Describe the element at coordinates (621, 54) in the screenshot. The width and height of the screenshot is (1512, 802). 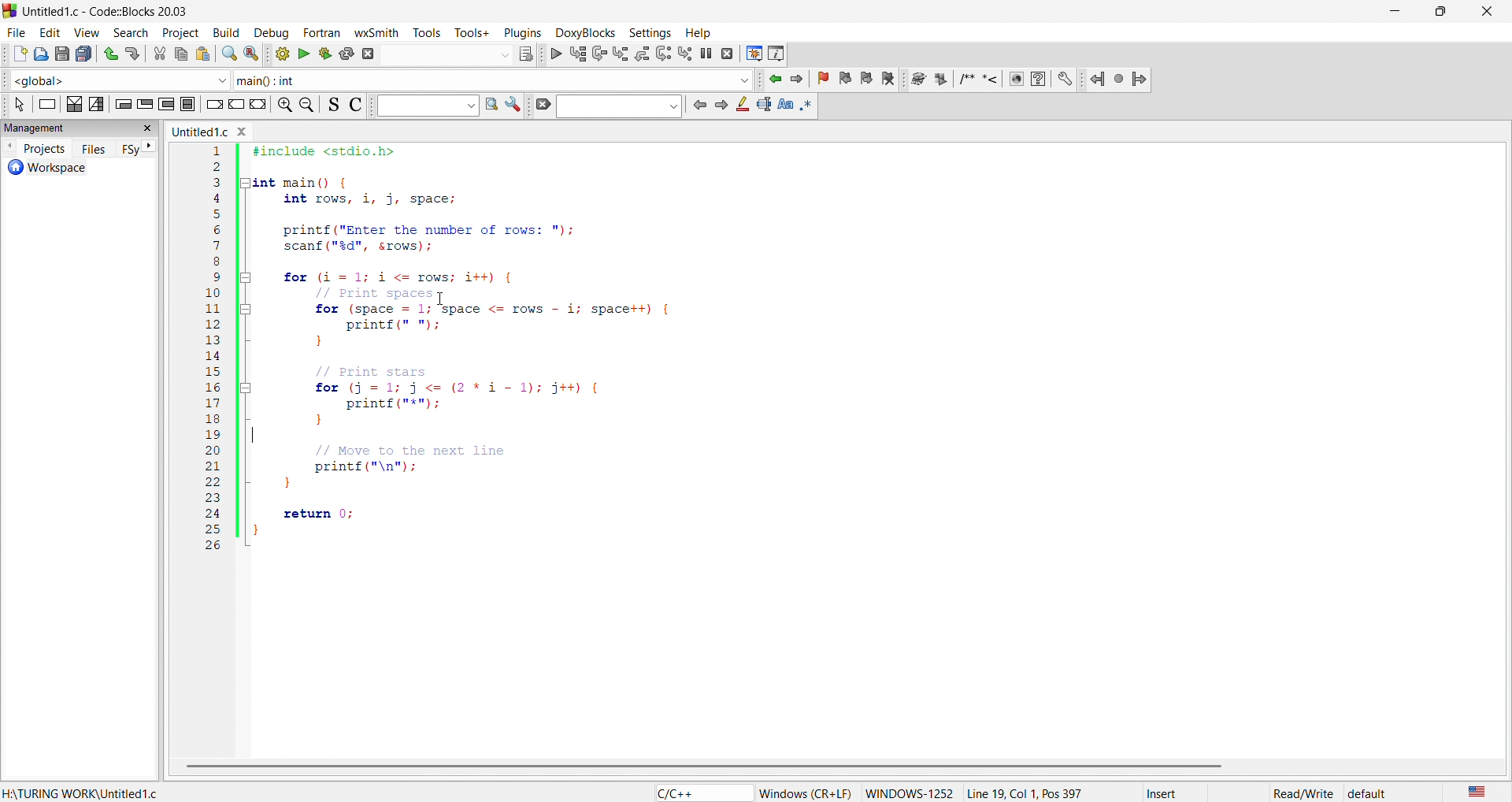
I see `step into` at that location.